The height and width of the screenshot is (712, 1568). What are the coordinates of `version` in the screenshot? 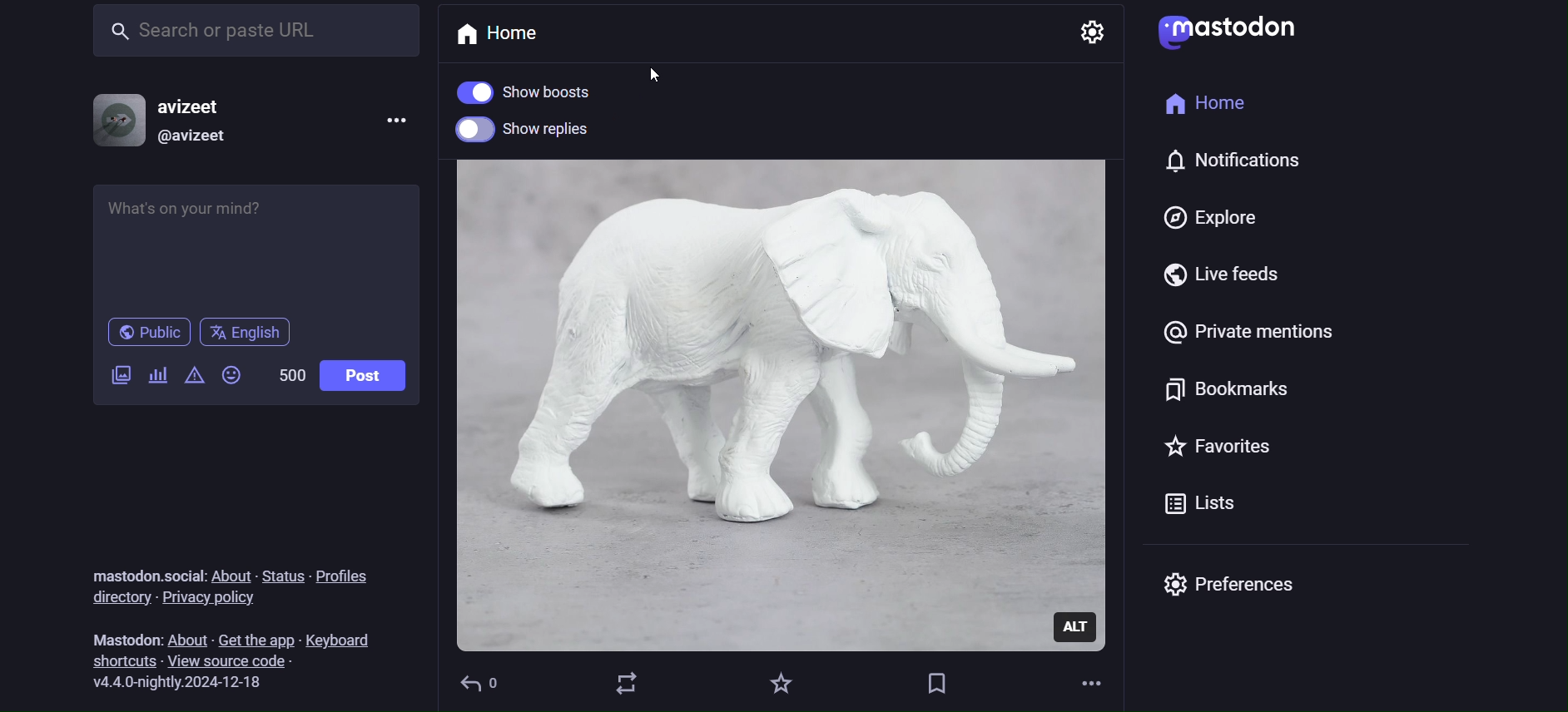 It's located at (186, 683).